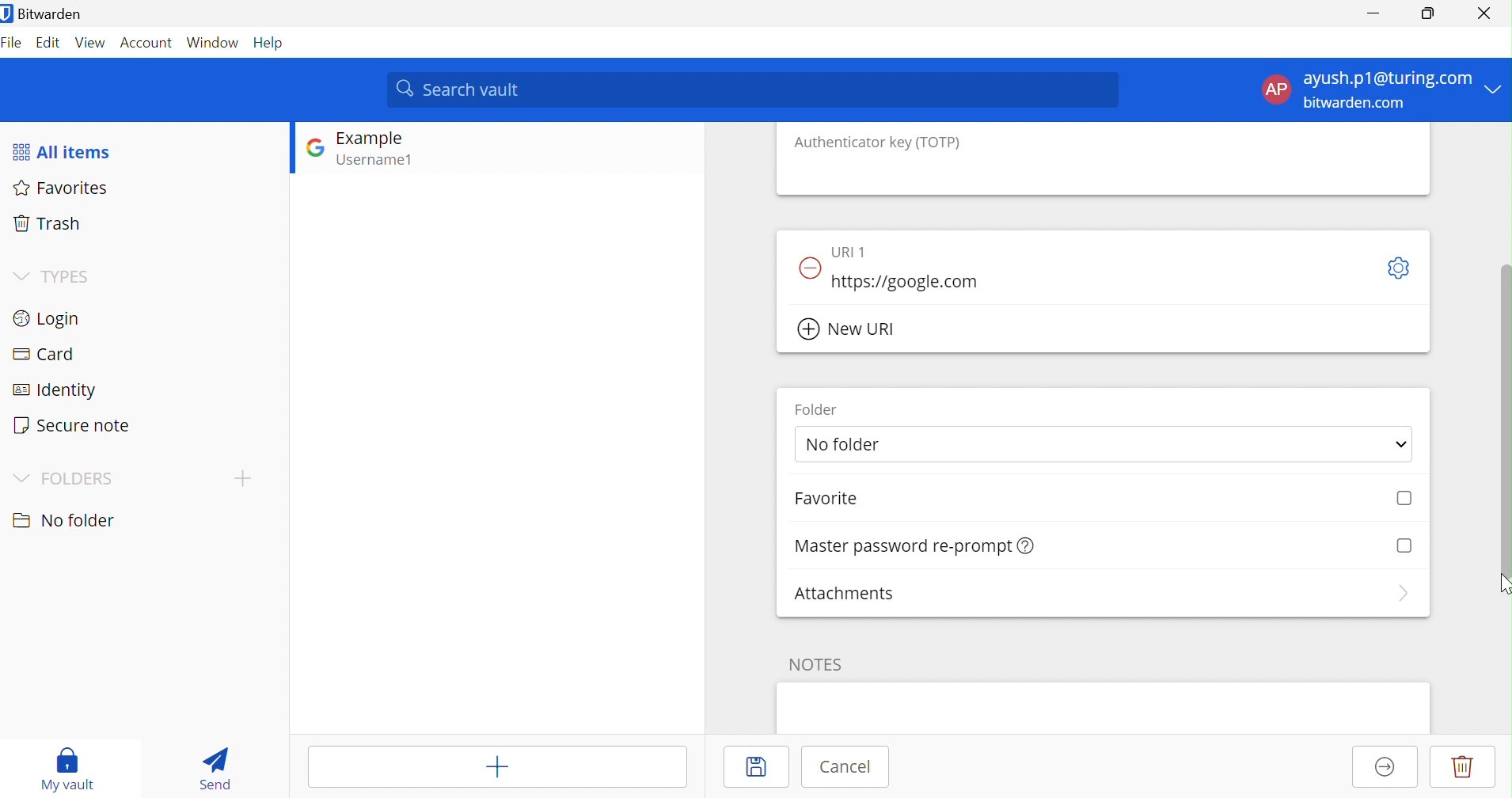 Image resolution: width=1512 pixels, height=798 pixels. I want to click on TYPES, so click(69, 275).